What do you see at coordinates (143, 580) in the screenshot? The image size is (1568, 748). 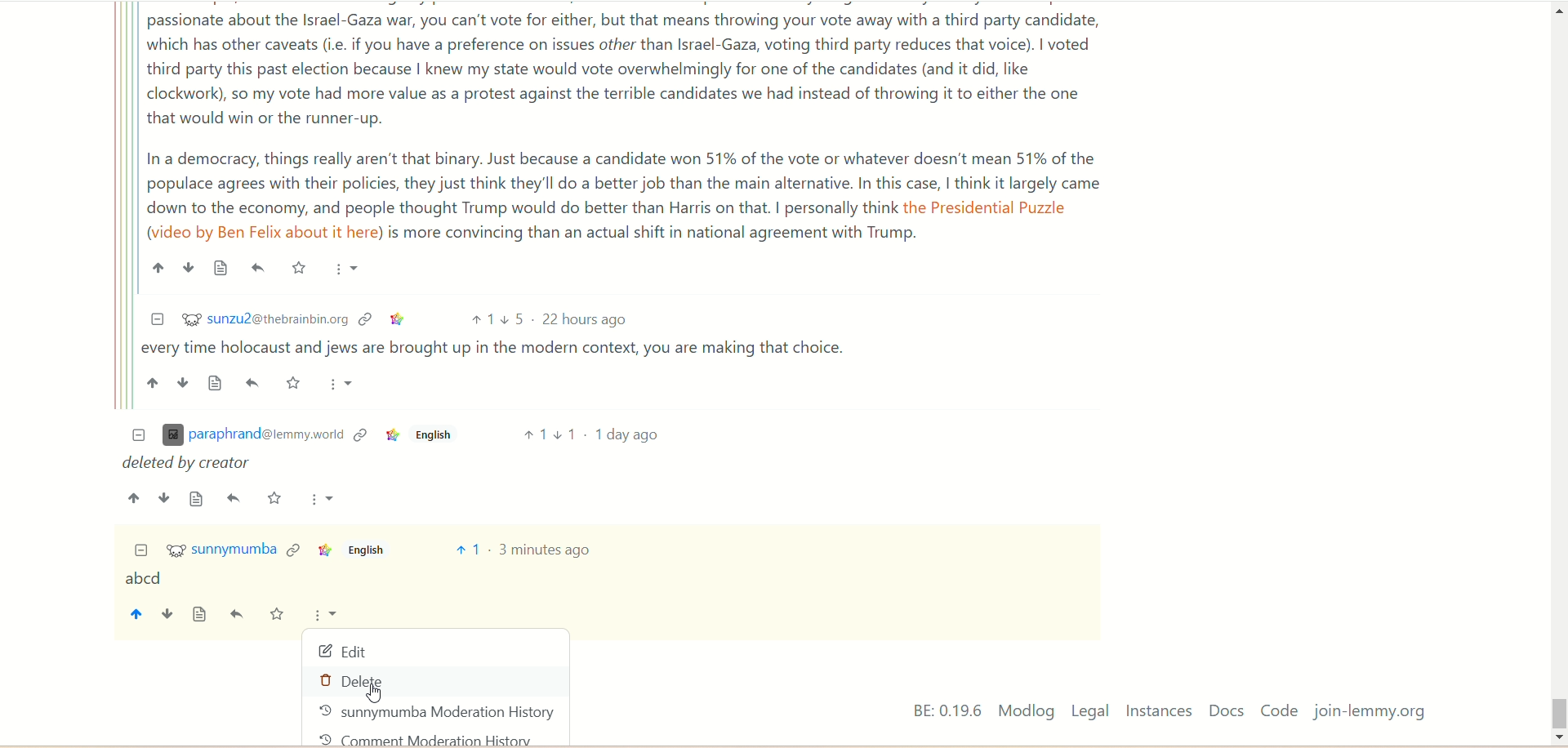 I see `abcd` at bounding box center [143, 580].